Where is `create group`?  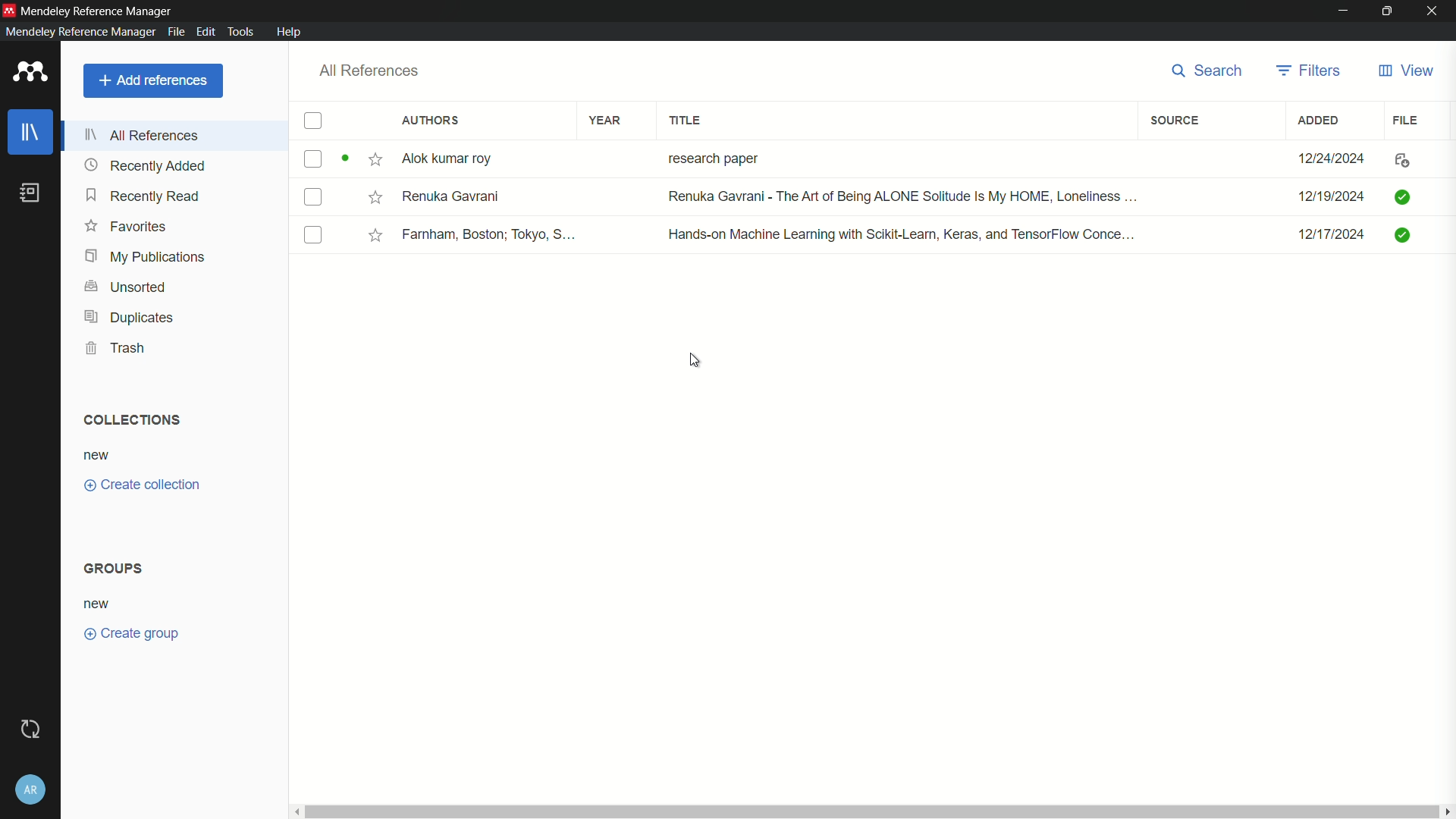
create group is located at coordinates (146, 633).